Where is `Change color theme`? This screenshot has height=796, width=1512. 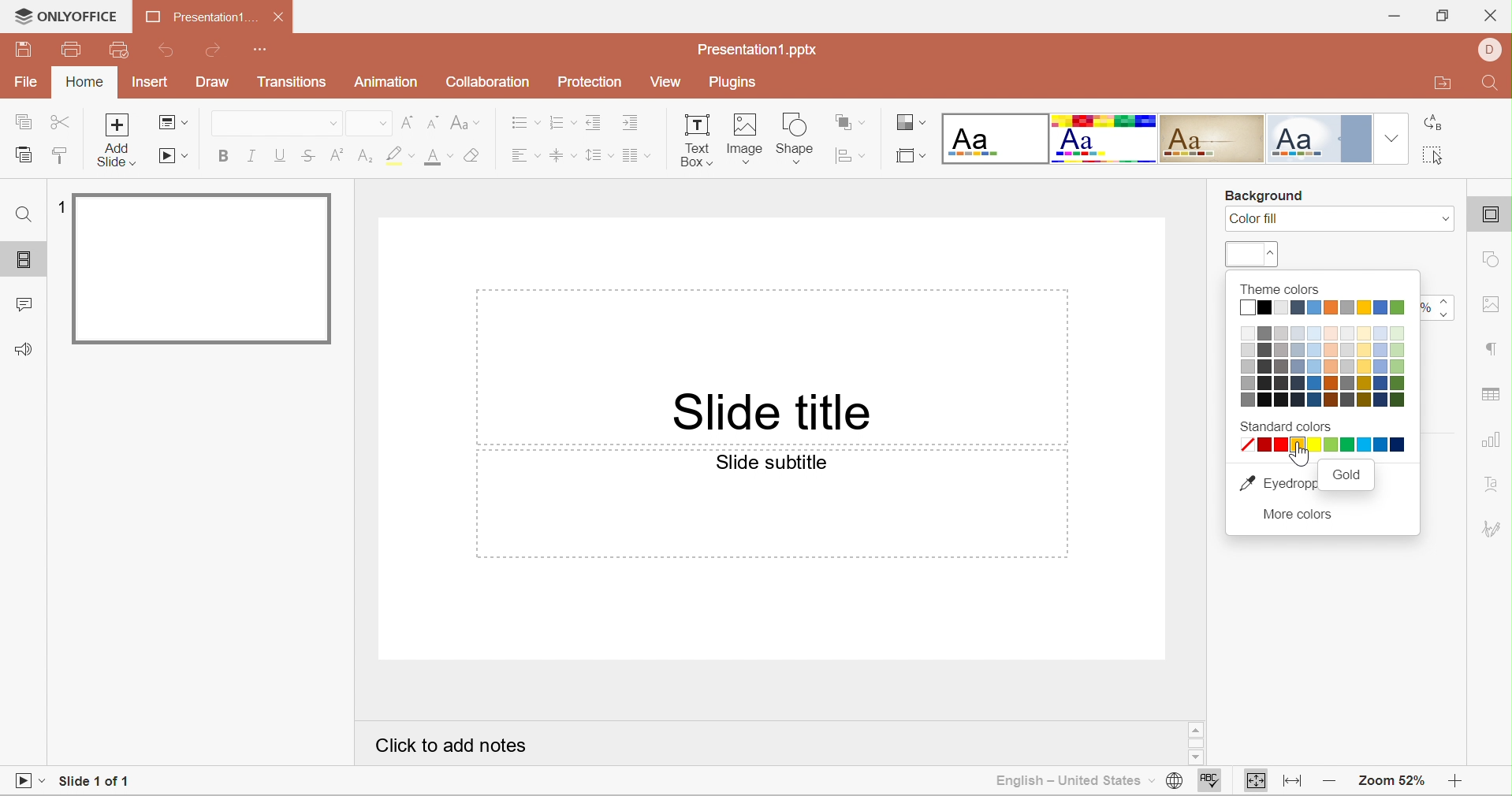
Change color theme is located at coordinates (911, 122).